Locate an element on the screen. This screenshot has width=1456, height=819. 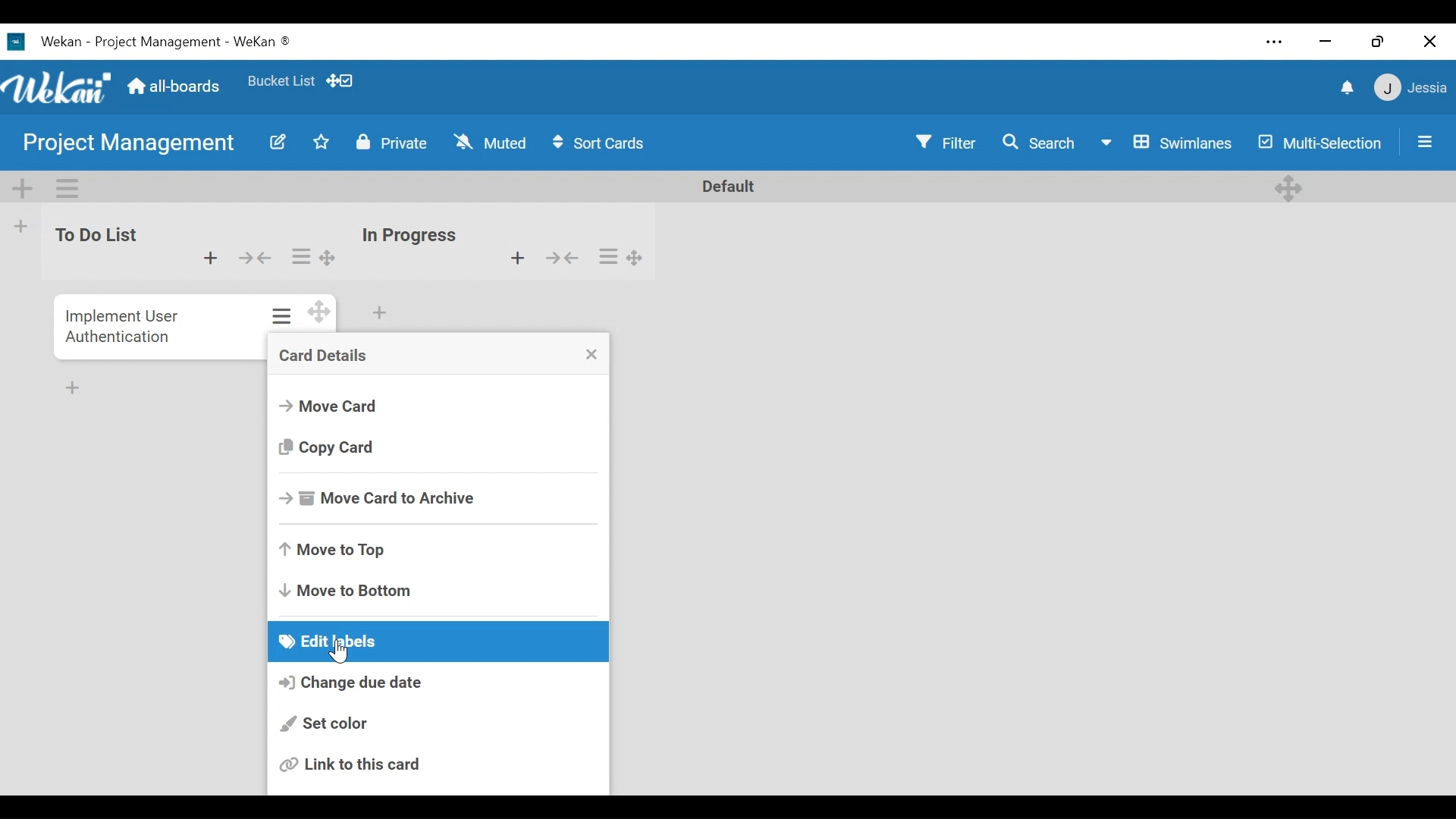
settings and more is located at coordinates (1272, 42).